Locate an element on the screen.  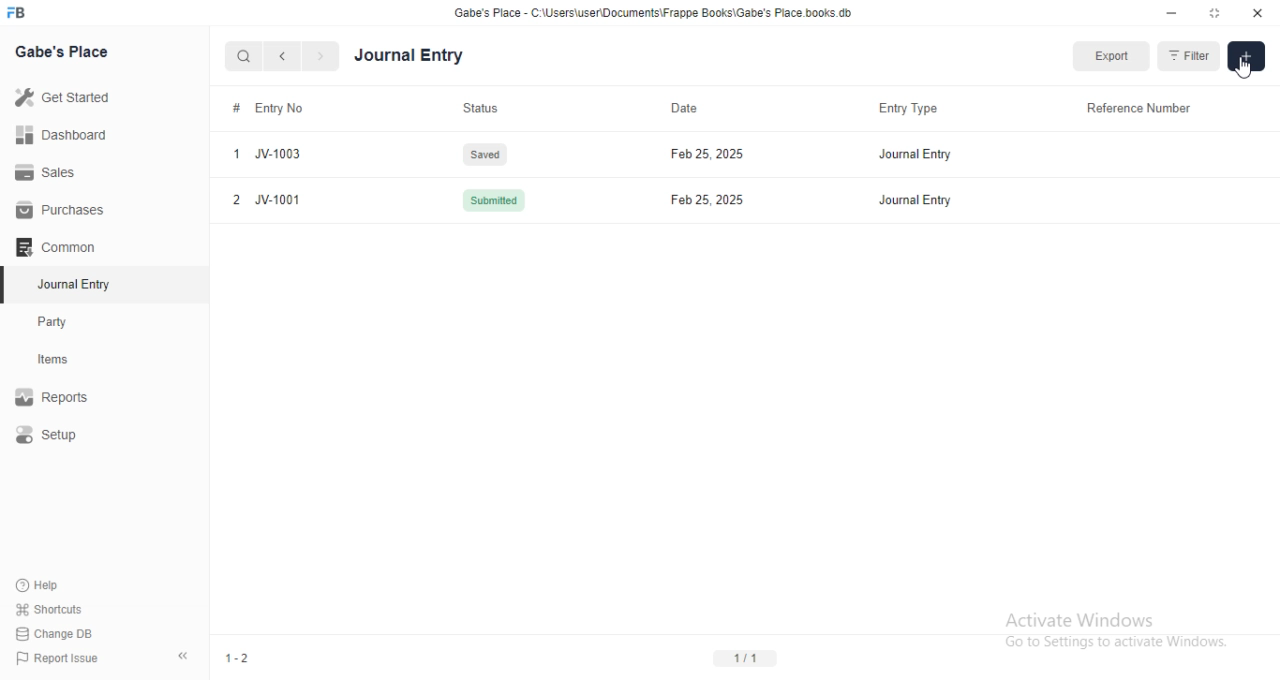
Journal entry is located at coordinates (909, 153).